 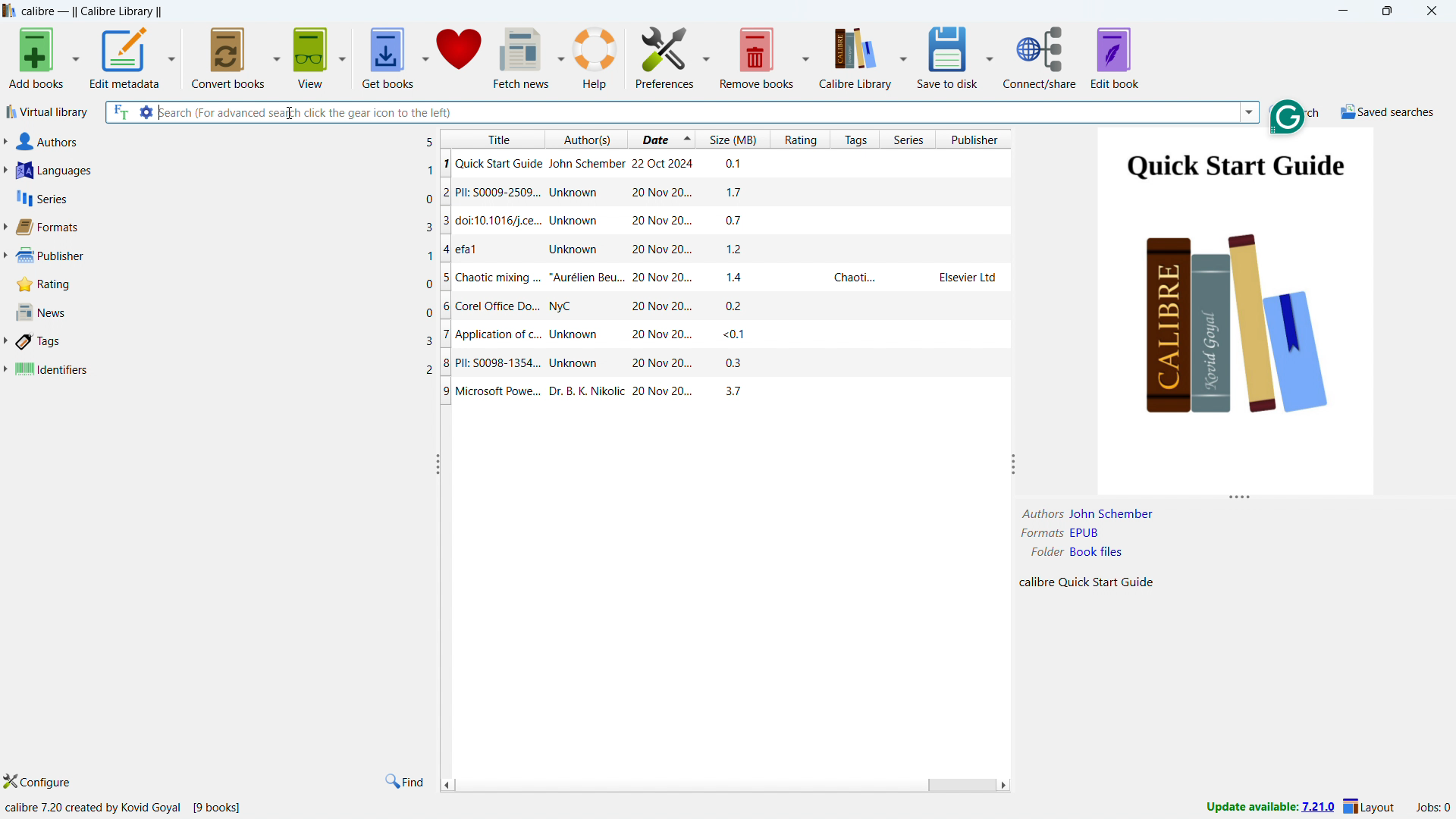 I want to click on John Schember, so click(x=1112, y=513).